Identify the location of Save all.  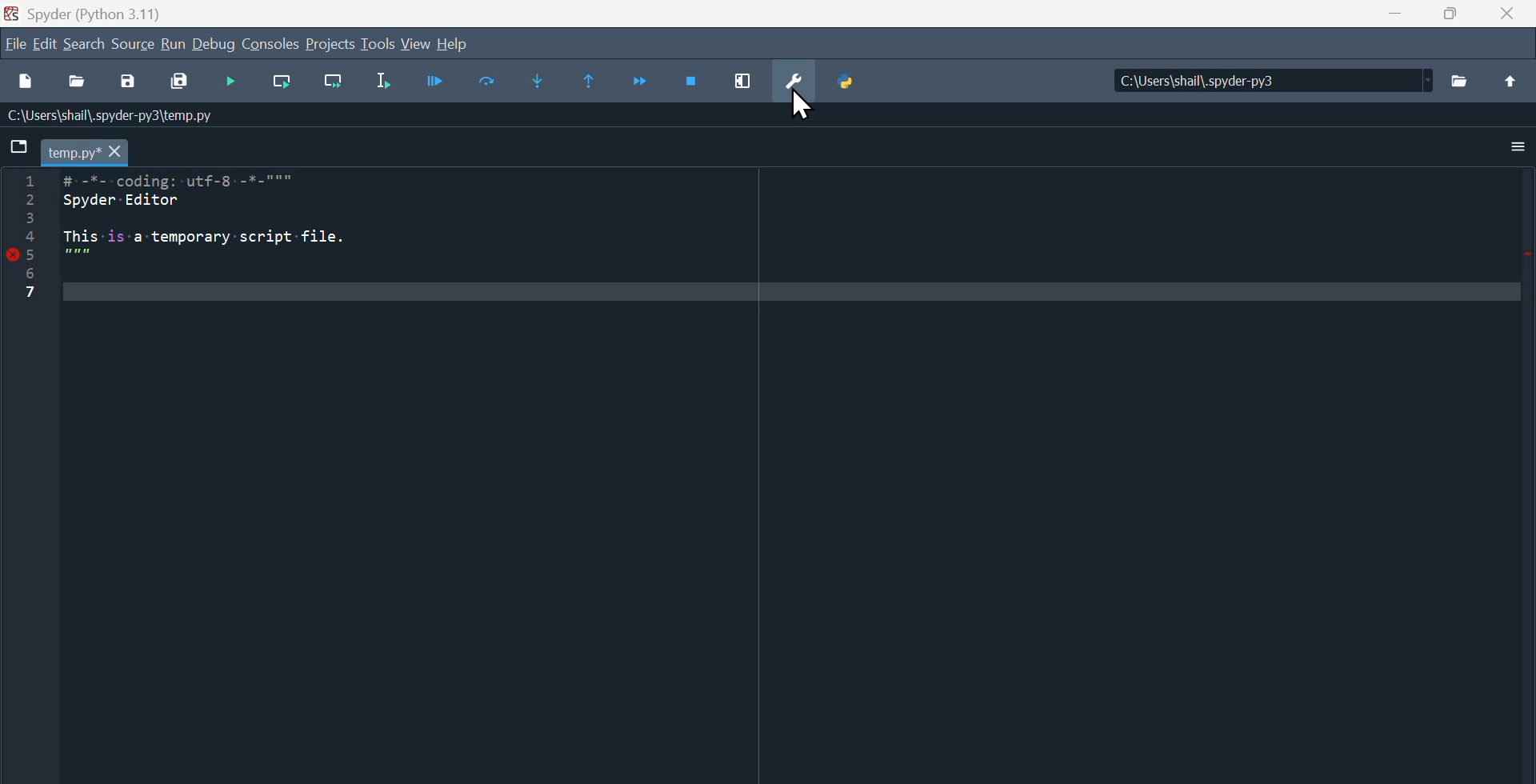
(177, 84).